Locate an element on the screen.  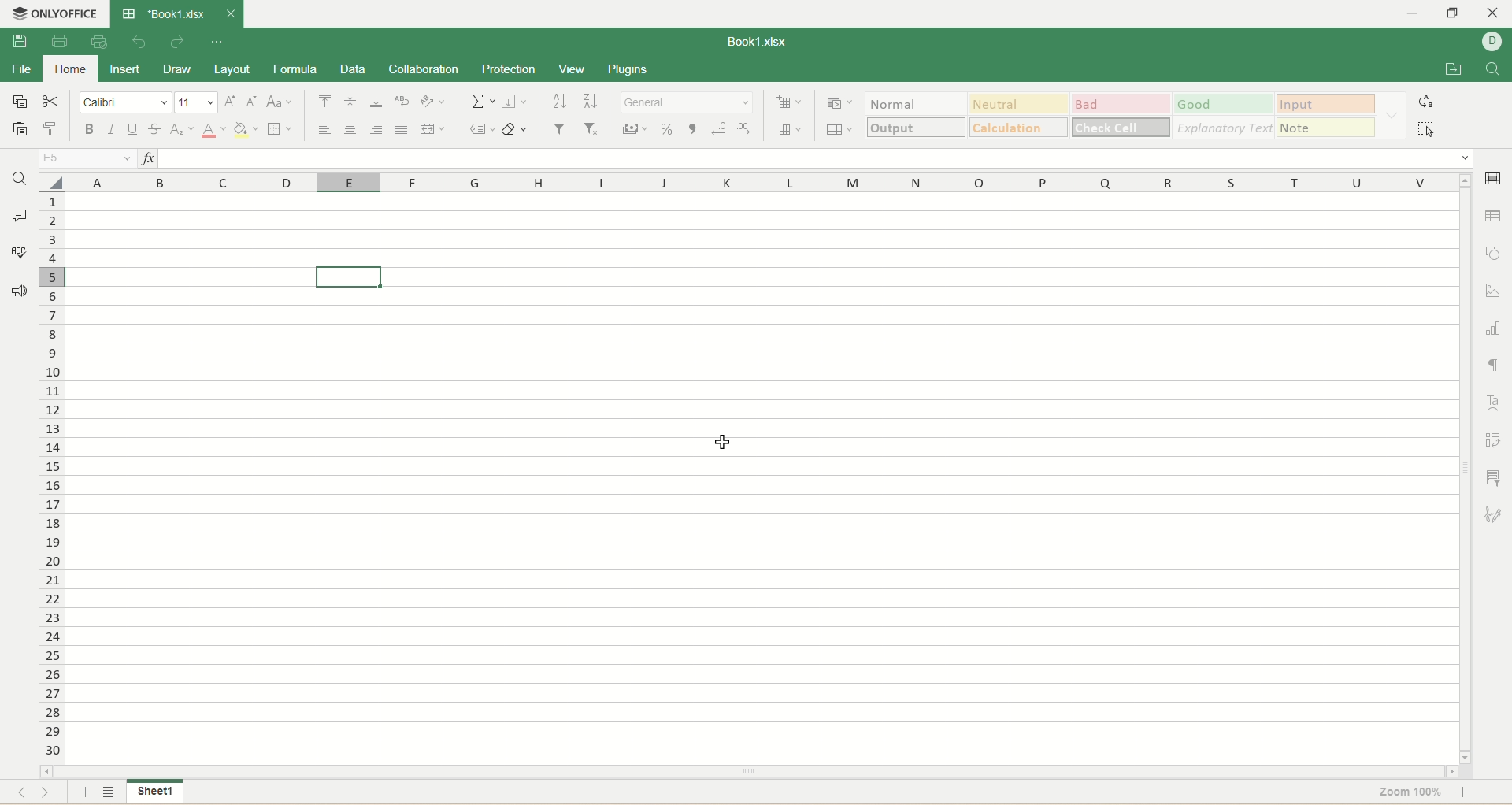
table is located at coordinates (839, 130).